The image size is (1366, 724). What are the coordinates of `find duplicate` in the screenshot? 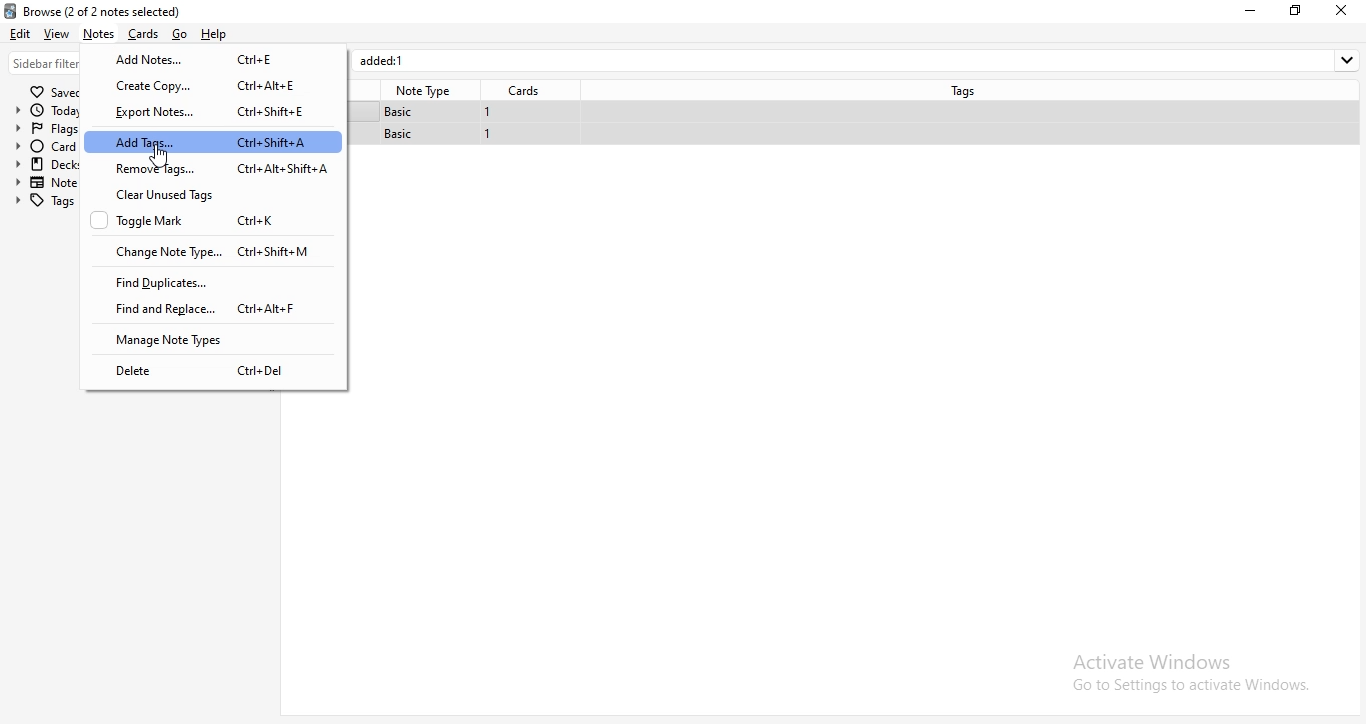 It's located at (191, 281).